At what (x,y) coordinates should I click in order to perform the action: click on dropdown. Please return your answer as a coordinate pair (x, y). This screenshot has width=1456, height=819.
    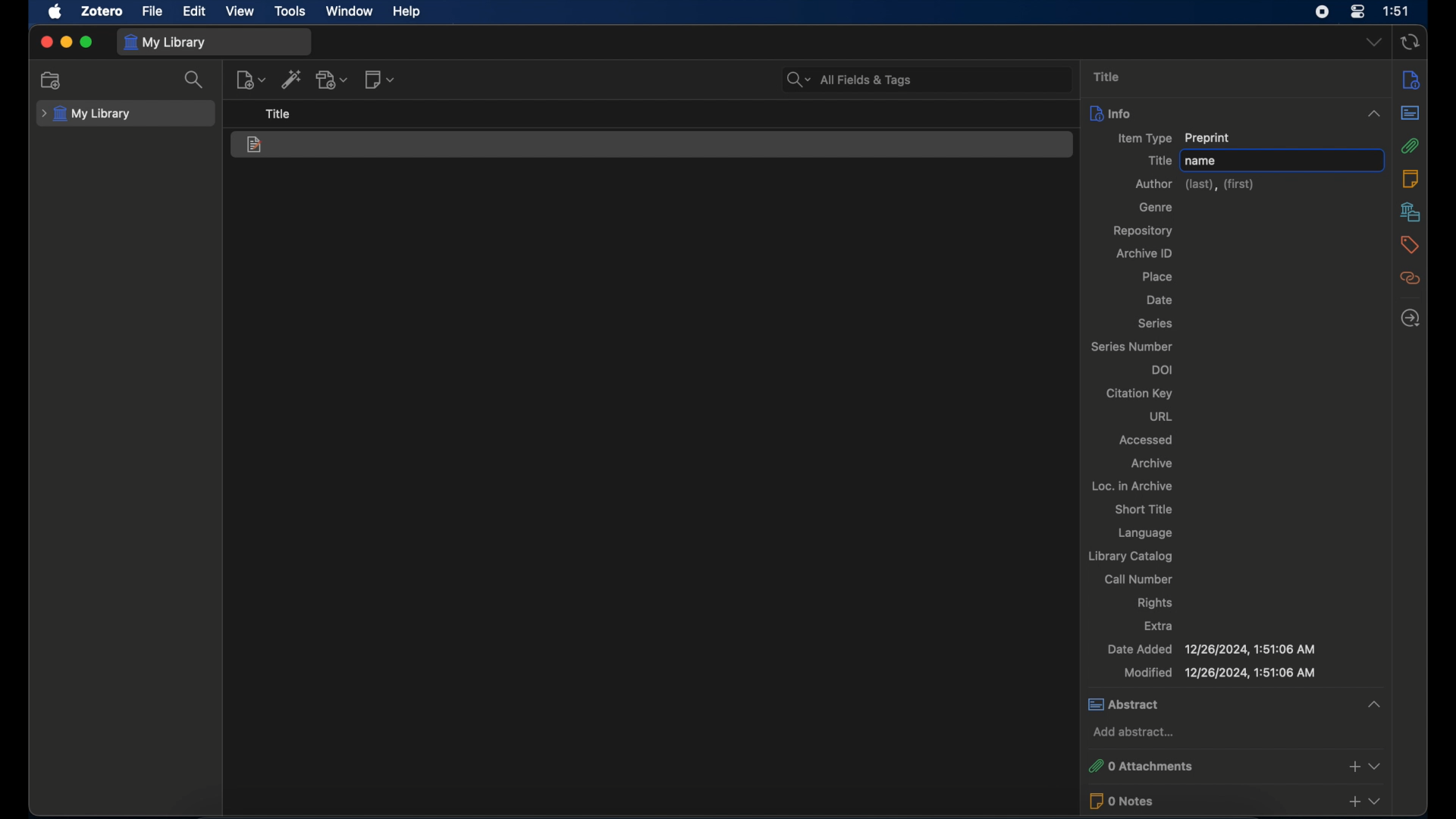
    Looking at the image, I should click on (1373, 41).